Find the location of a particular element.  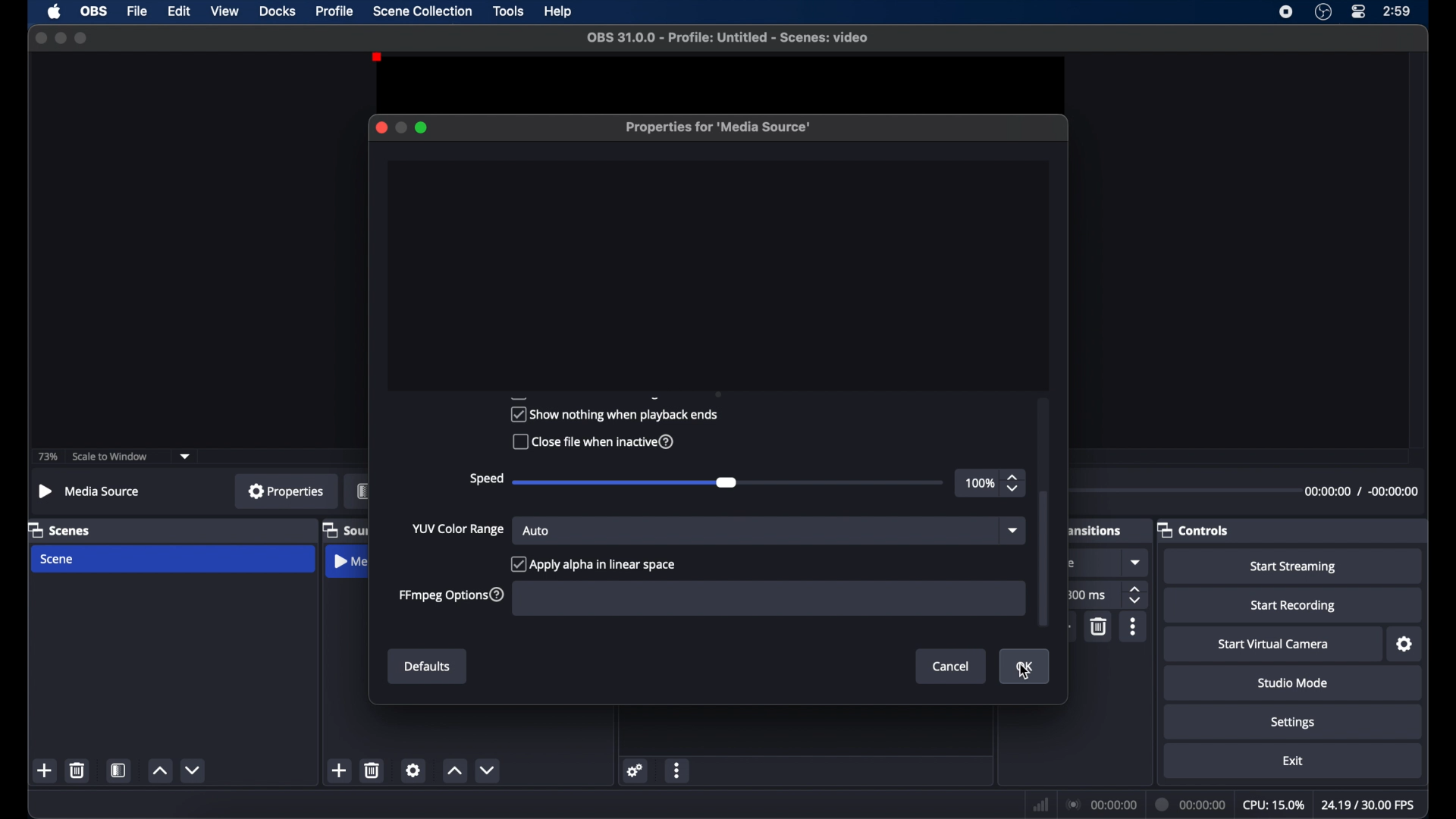

obscure label is located at coordinates (351, 561).